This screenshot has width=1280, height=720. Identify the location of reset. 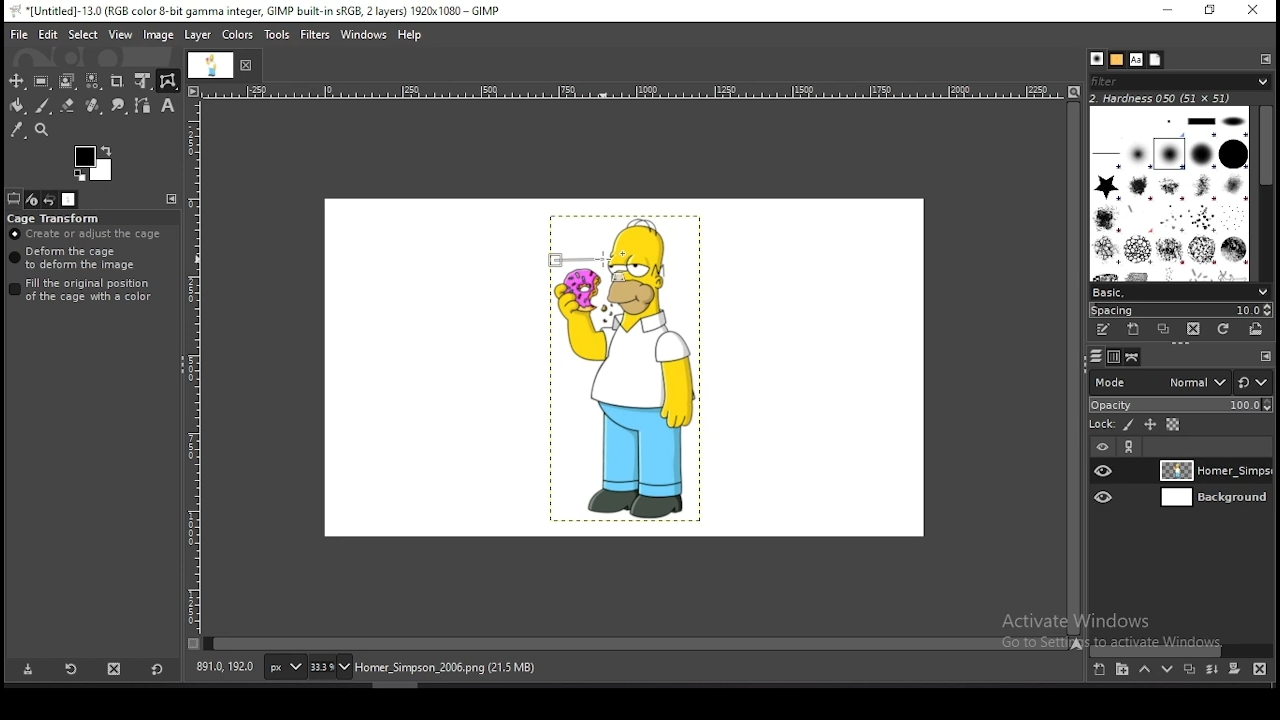
(156, 671).